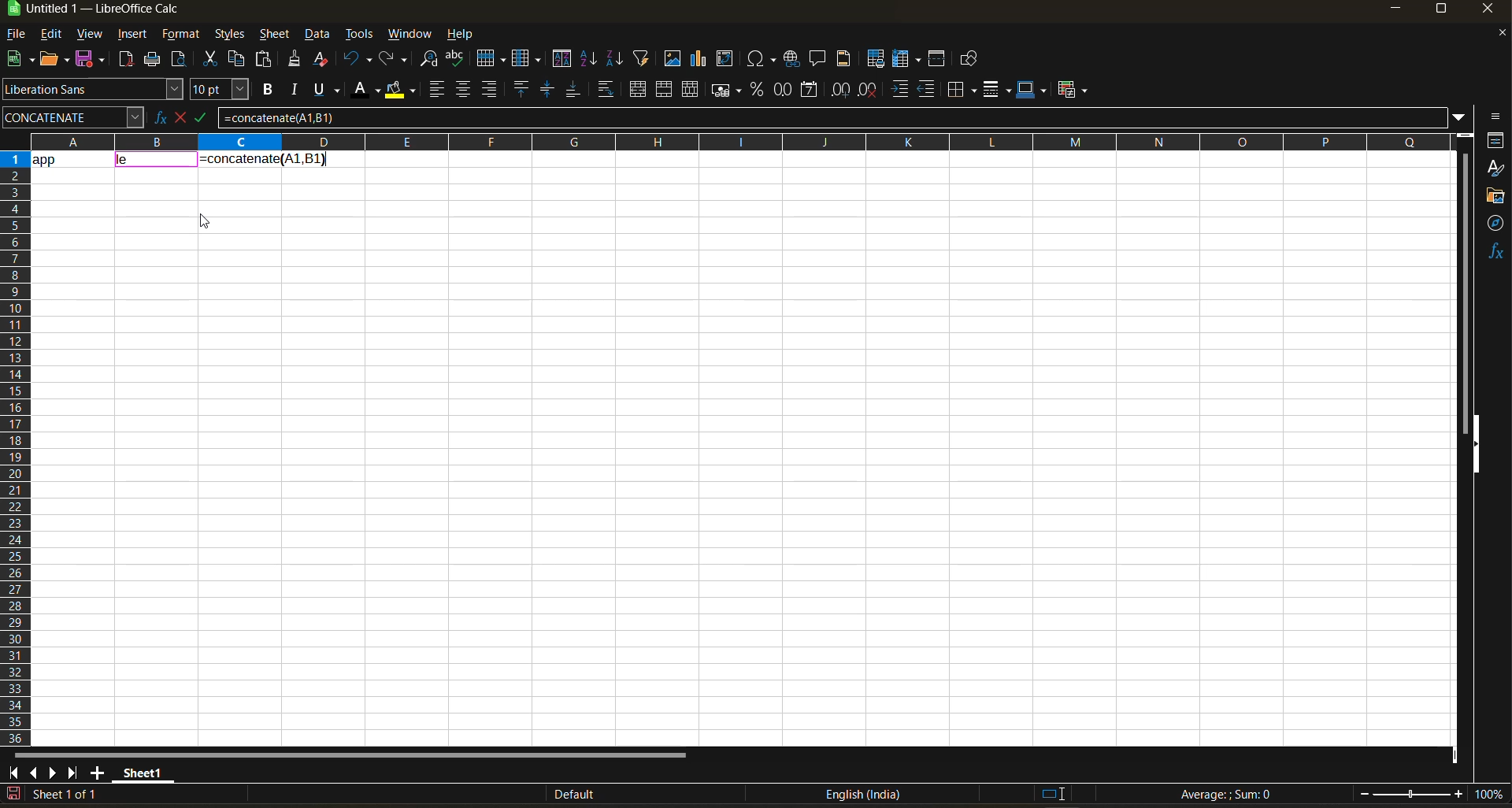 Image resolution: width=1512 pixels, height=808 pixels. Describe the element at coordinates (13, 795) in the screenshot. I see `click to save` at that location.